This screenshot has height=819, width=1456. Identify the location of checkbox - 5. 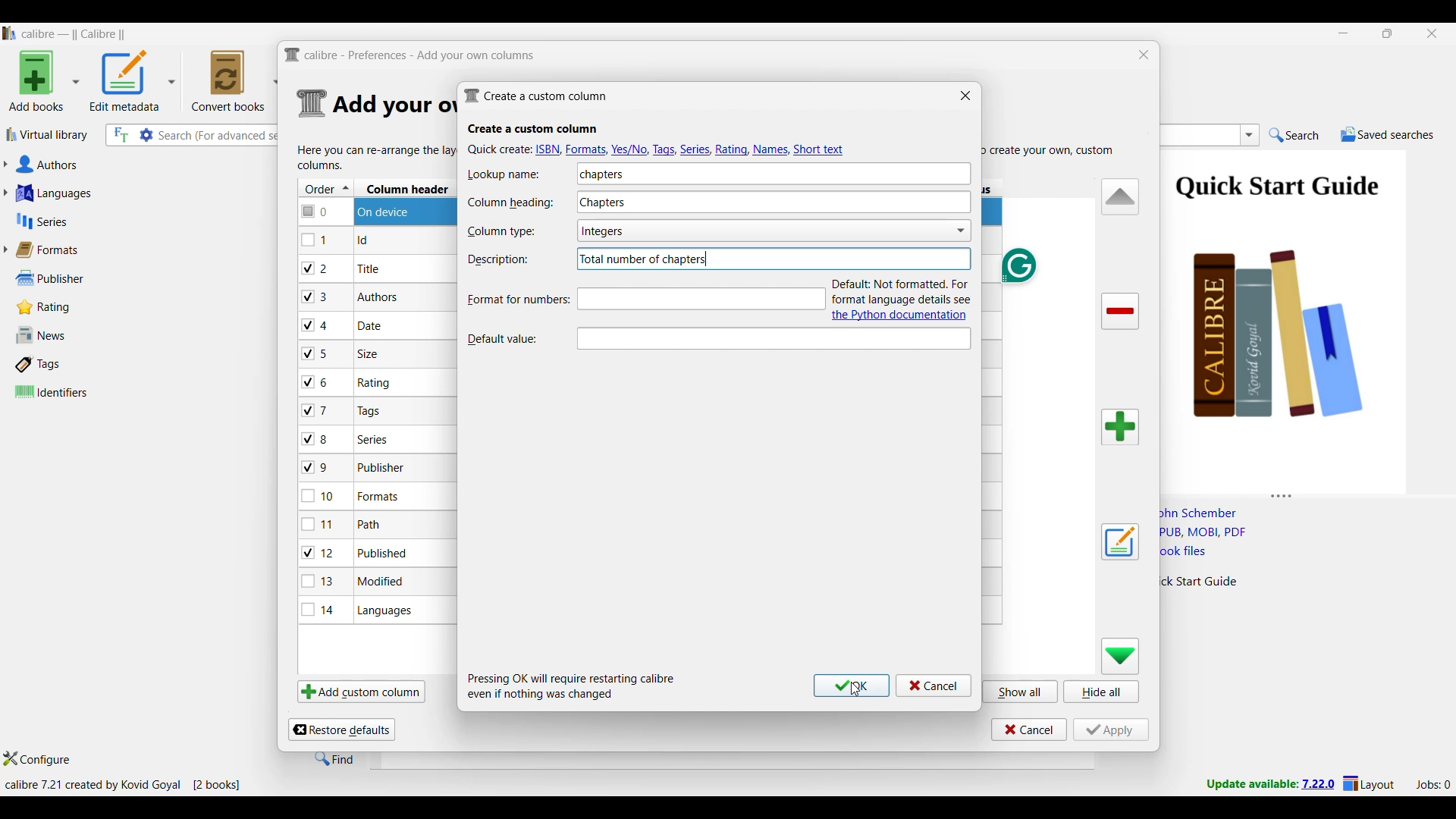
(321, 353).